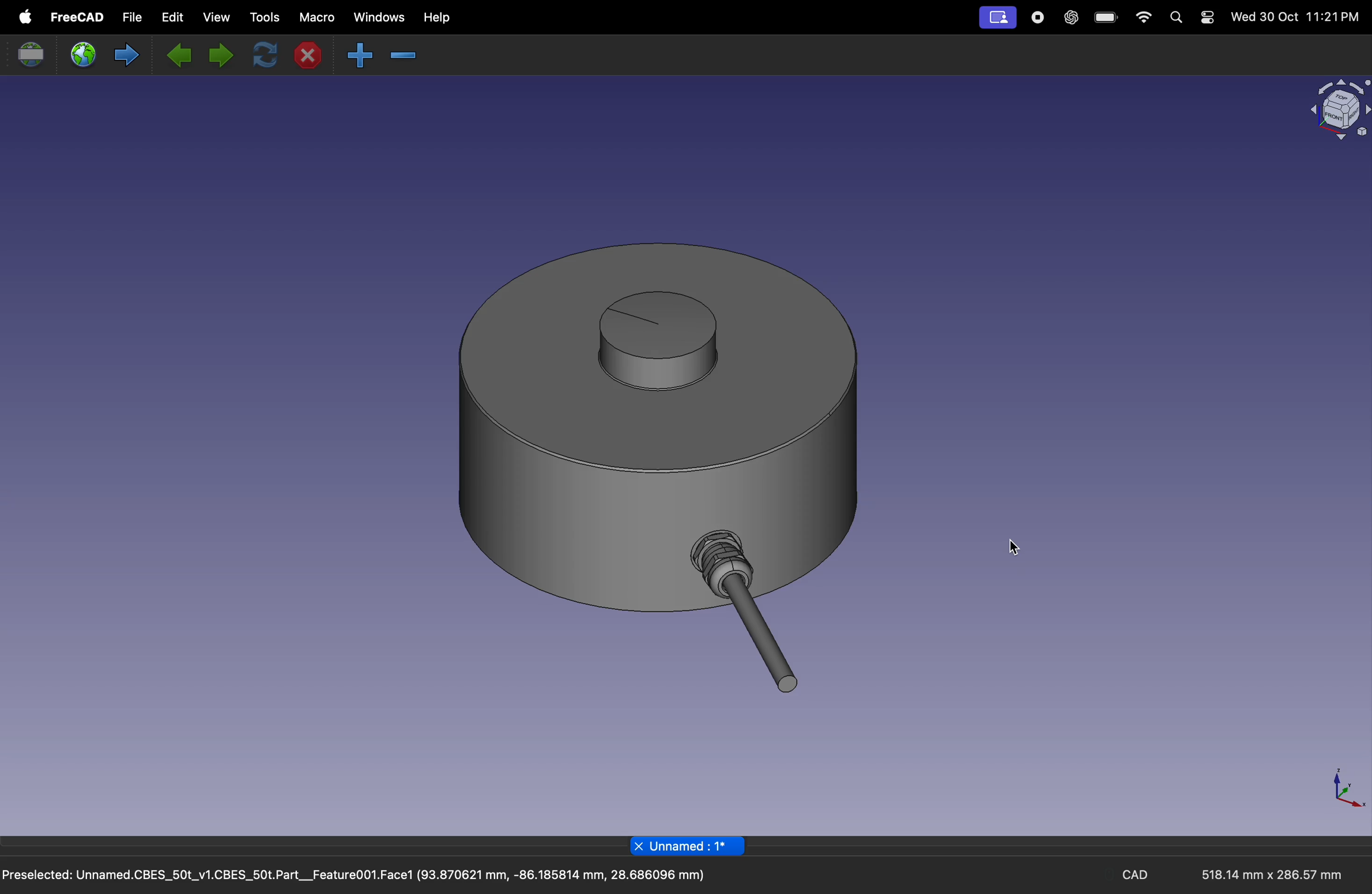 This screenshot has width=1372, height=894. Describe the element at coordinates (260, 54) in the screenshot. I see `refresh` at that location.